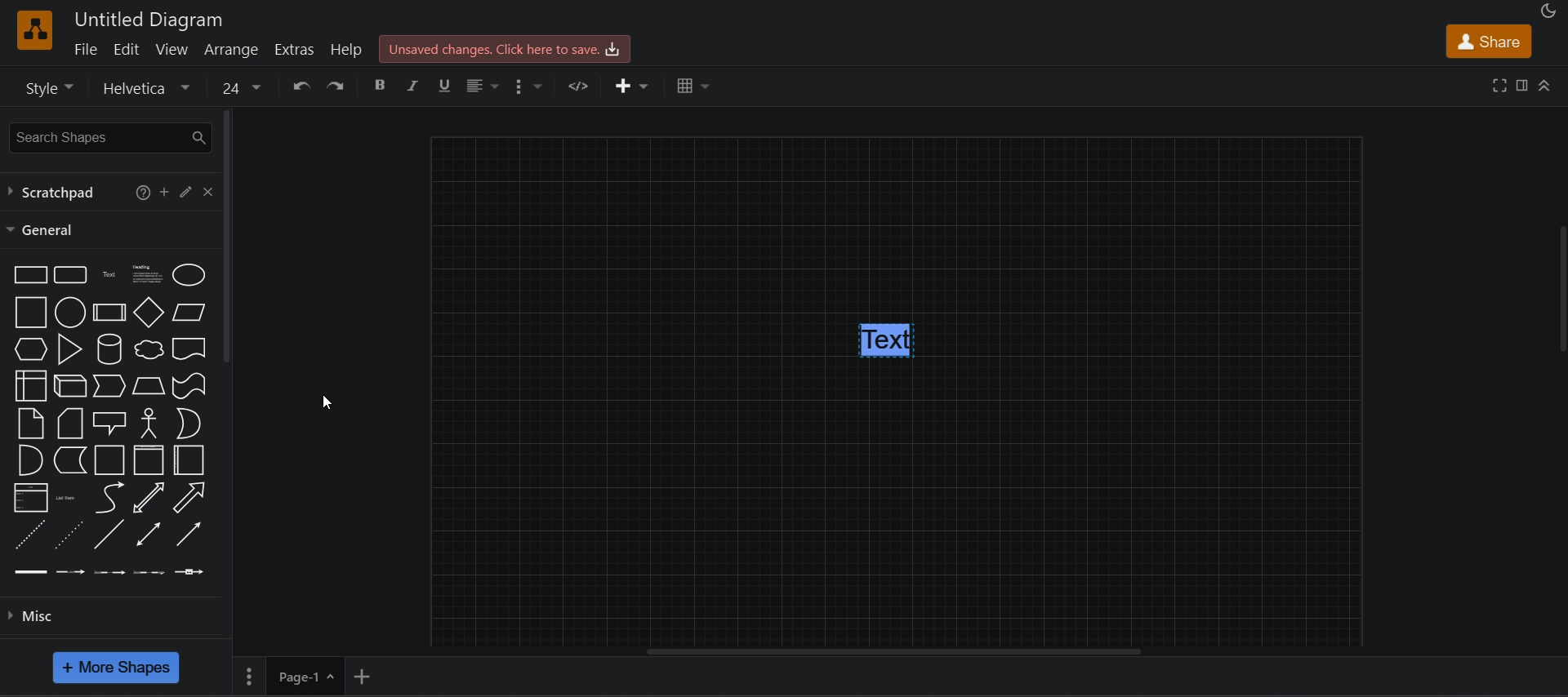 This screenshot has width=1568, height=697. Describe the element at coordinates (189, 348) in the screenshot. I see `Document` at that location.